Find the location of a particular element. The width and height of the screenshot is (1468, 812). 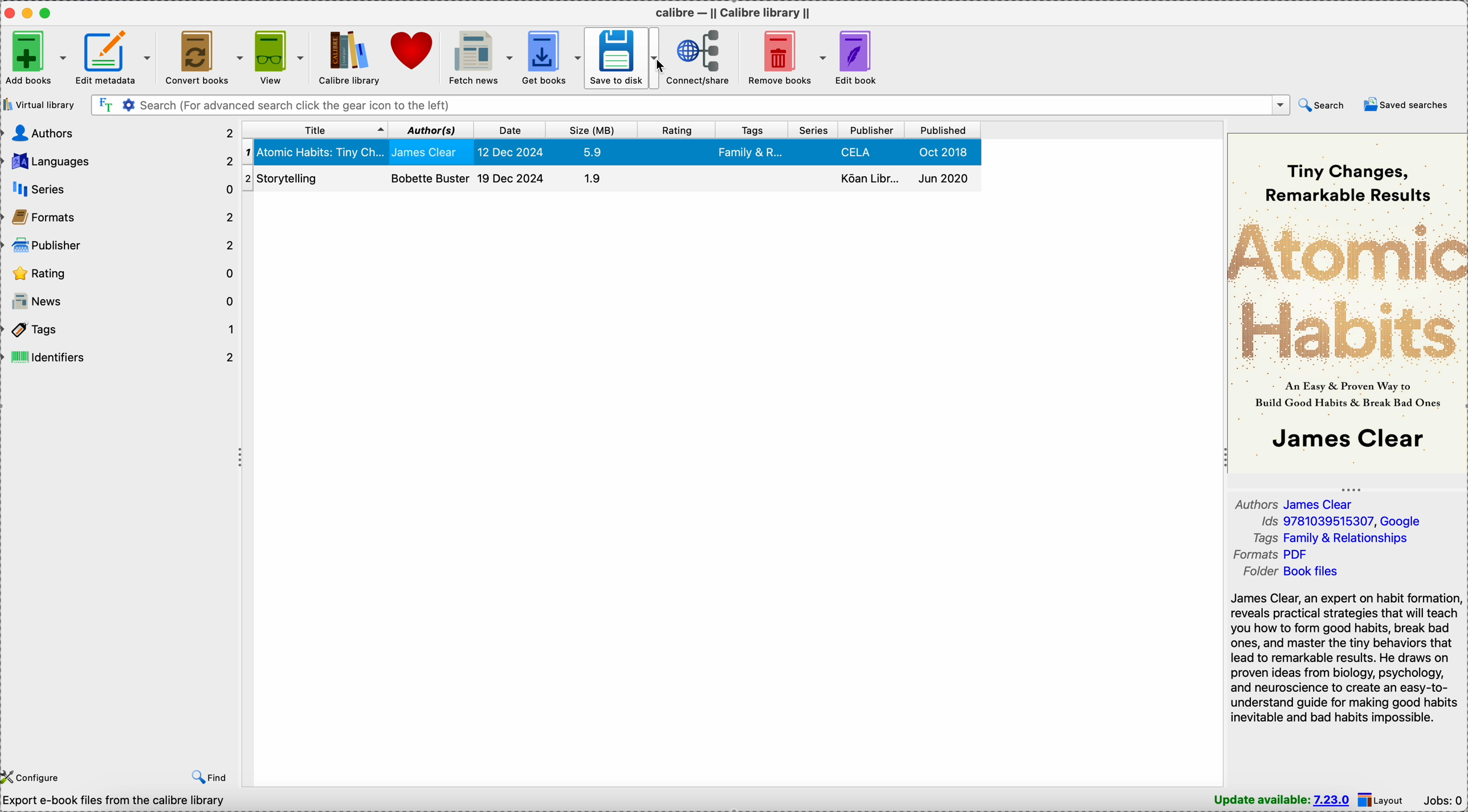

minimize Calibre is located at coordinates (30, 13).